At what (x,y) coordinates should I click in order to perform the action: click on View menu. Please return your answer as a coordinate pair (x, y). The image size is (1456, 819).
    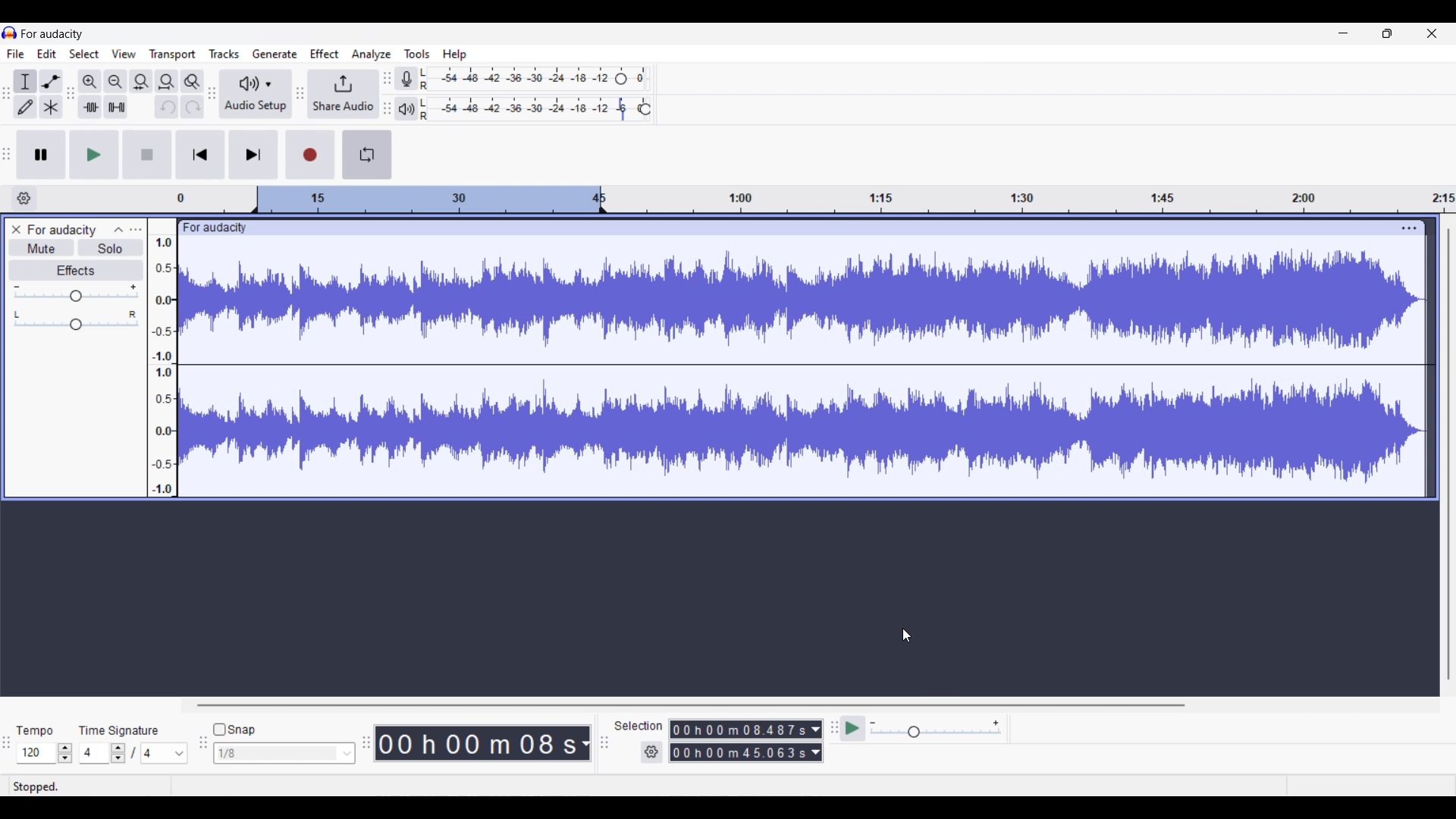
    Looking at the image, I should click on (124, 54).